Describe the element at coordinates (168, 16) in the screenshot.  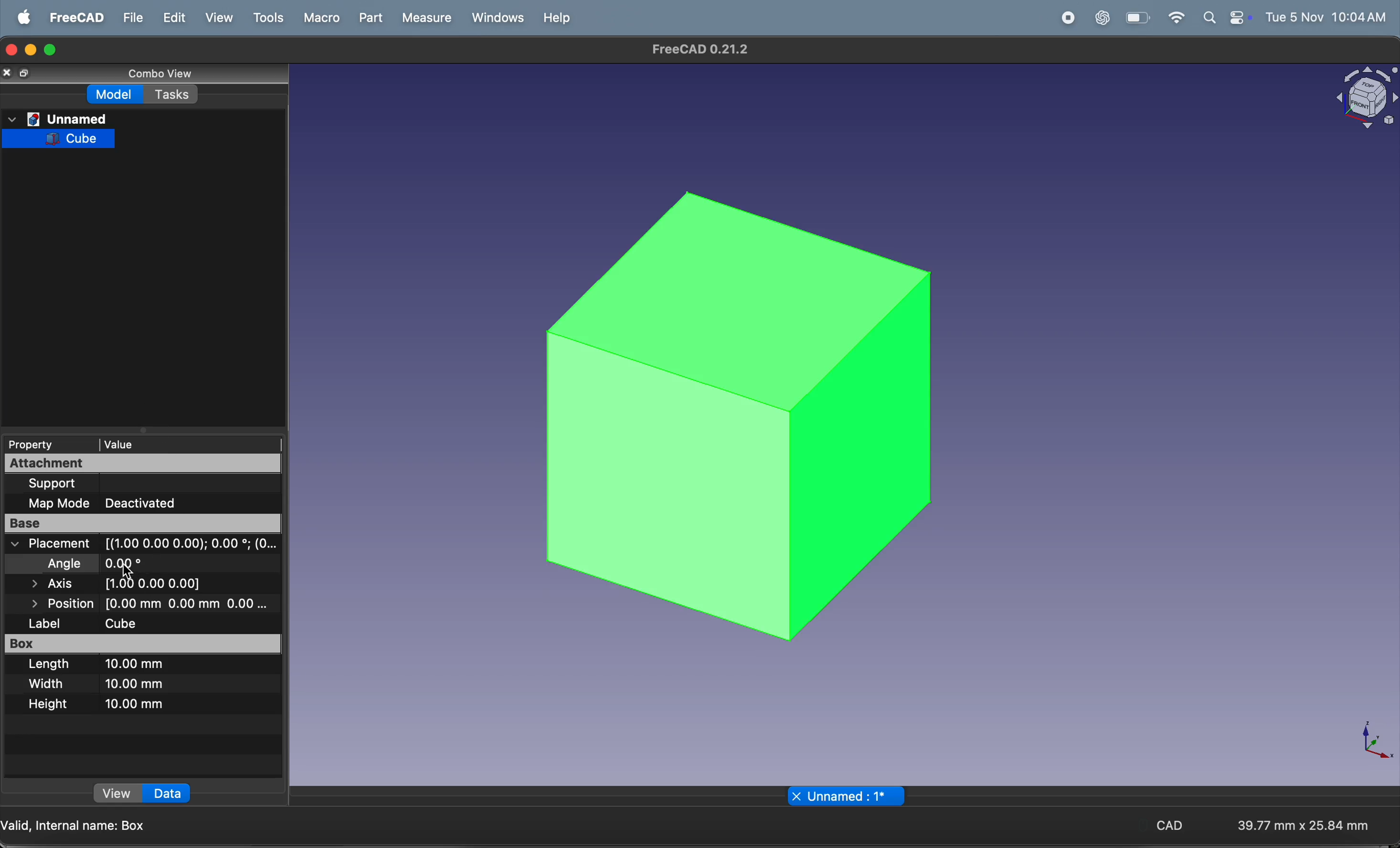
I see `edit` at that location.